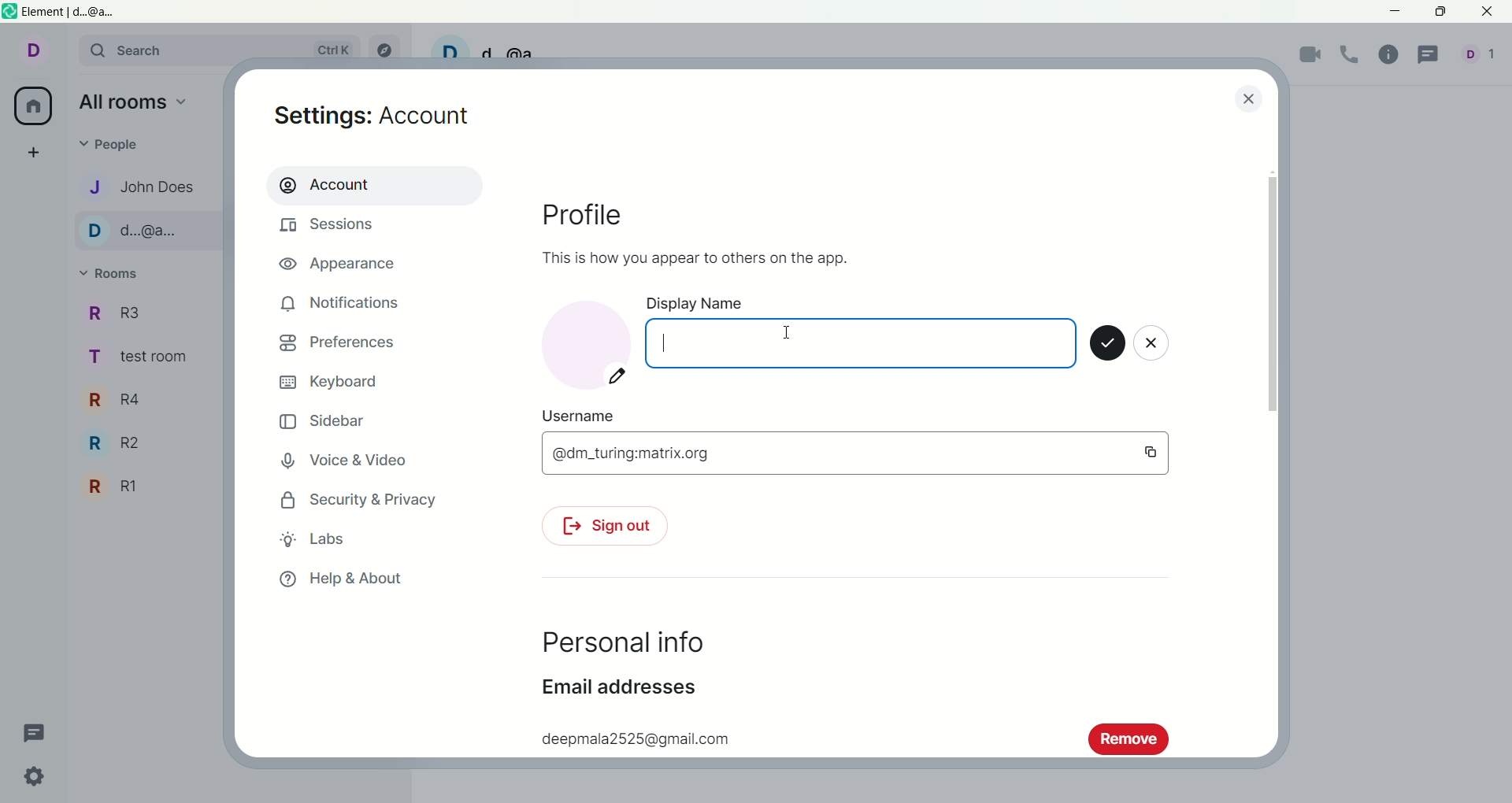 The width and height of the screenshot is (1512, 803). Describe the element at coordinates (353, 462) in the screenshot. I see `voice and video` at that location.